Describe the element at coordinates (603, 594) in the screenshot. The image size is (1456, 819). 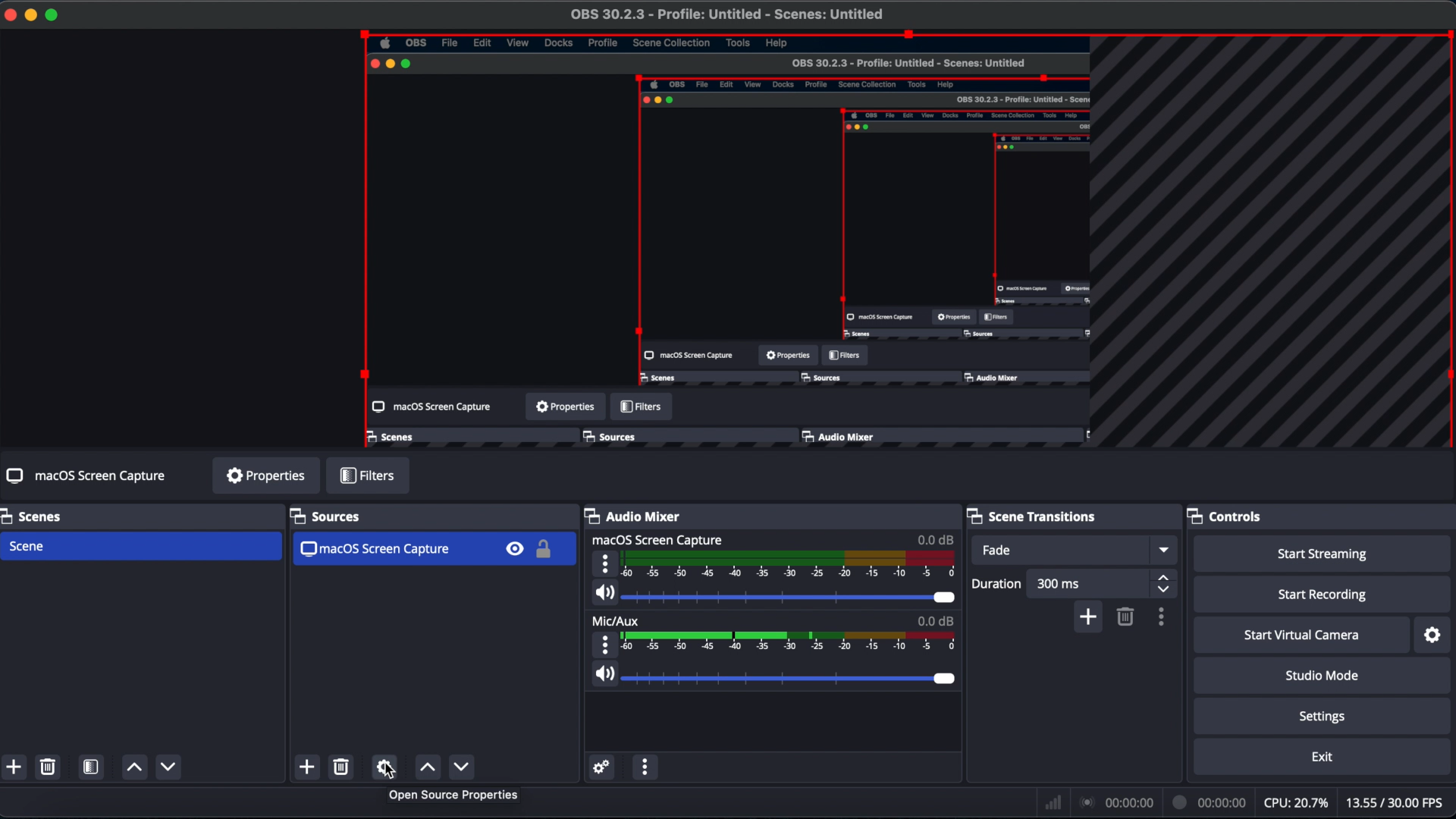
I see `audio icon` at that location.